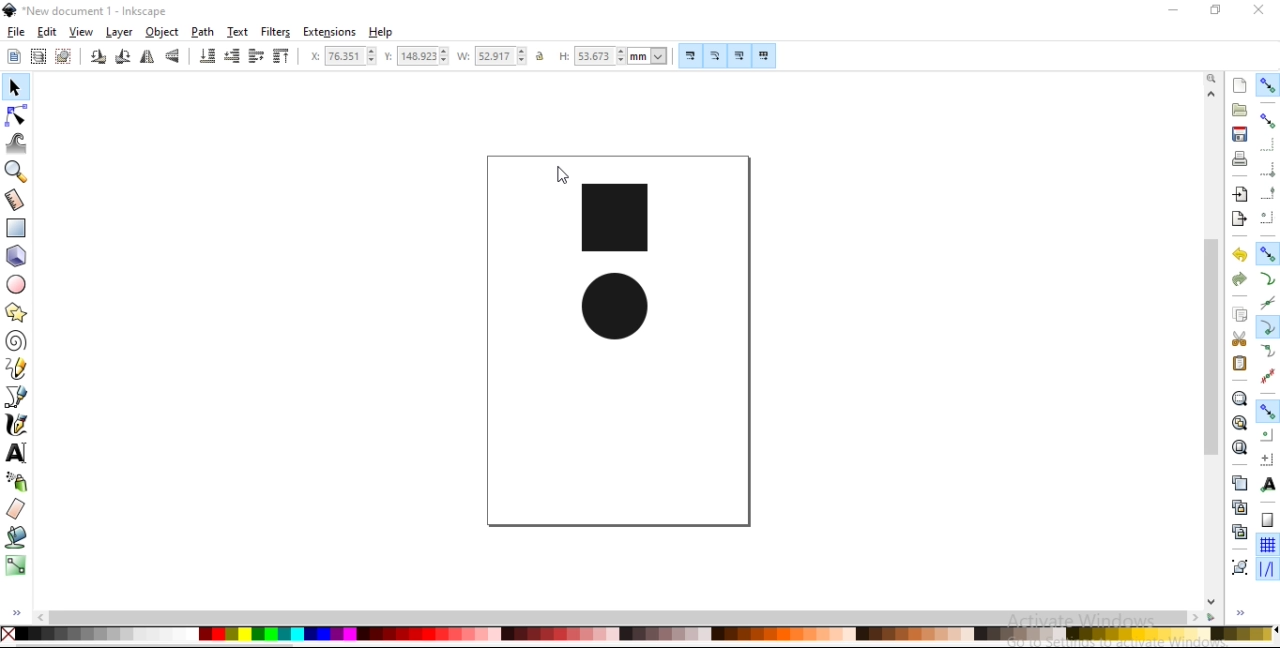  What do you see at coordinates (15, 370) in the screenshot?
I see `draw freehand lines` at bounding box center [15, 370].